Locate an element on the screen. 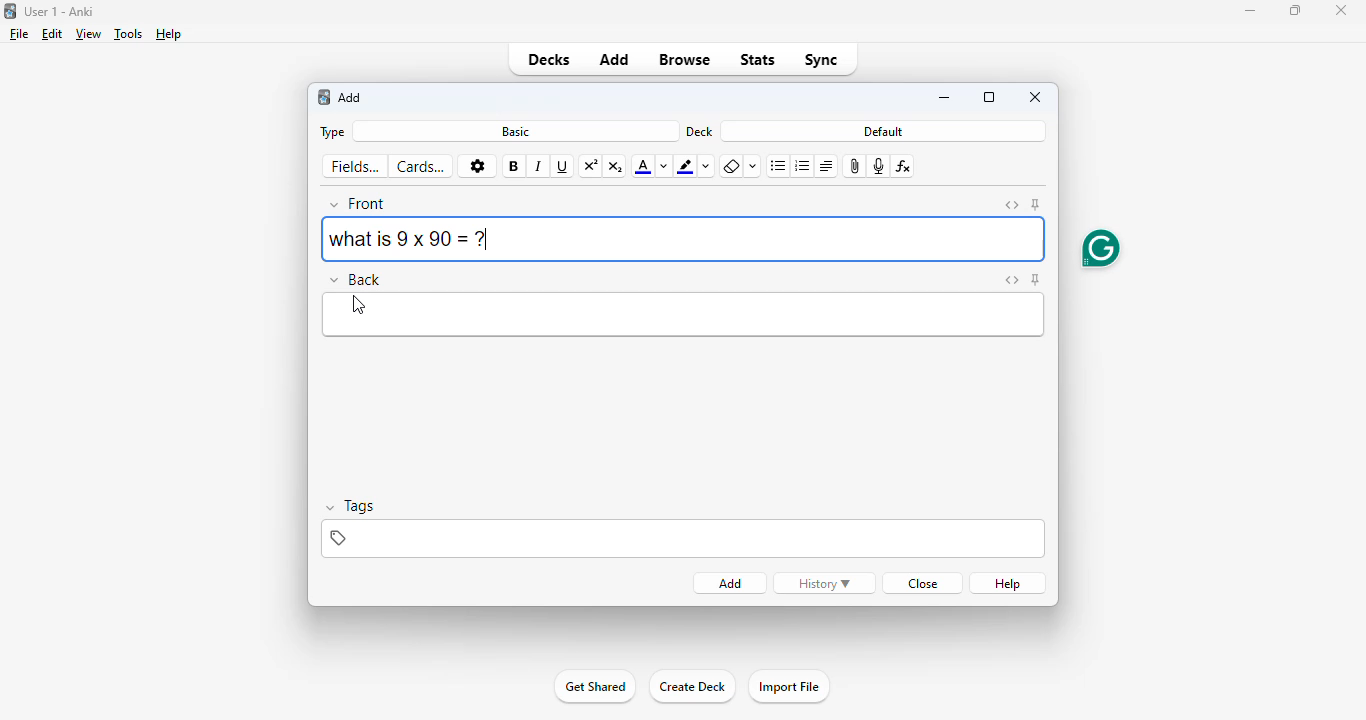 Image resolution: width=1366 pixels, height=720 pixels. get started is located at coordinates (595, 686).